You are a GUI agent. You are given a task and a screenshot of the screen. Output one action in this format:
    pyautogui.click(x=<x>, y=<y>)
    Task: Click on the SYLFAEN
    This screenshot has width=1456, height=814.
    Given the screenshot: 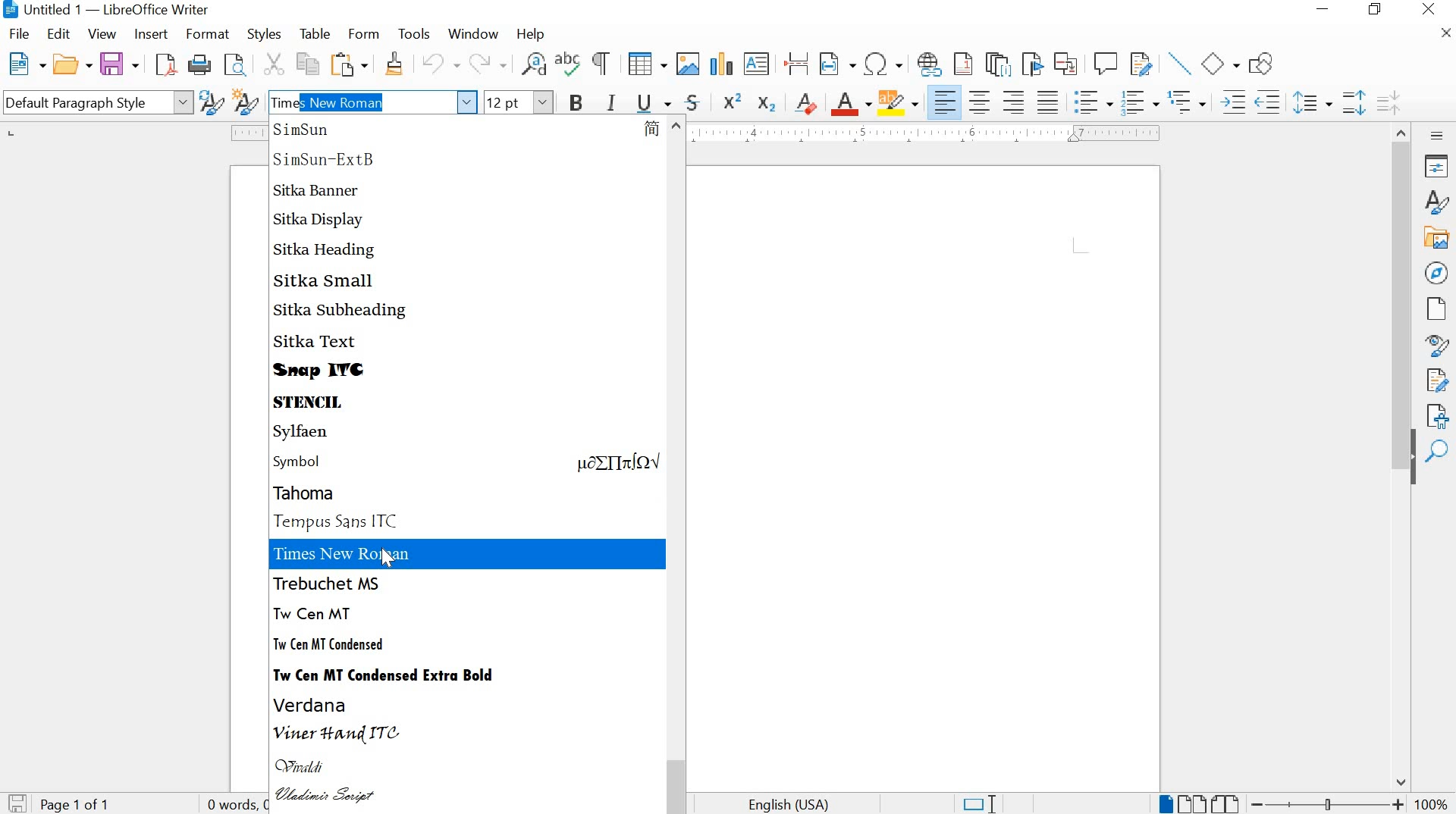 What is the action you would take?
    pyautogui.click(x=302, y=432)
    